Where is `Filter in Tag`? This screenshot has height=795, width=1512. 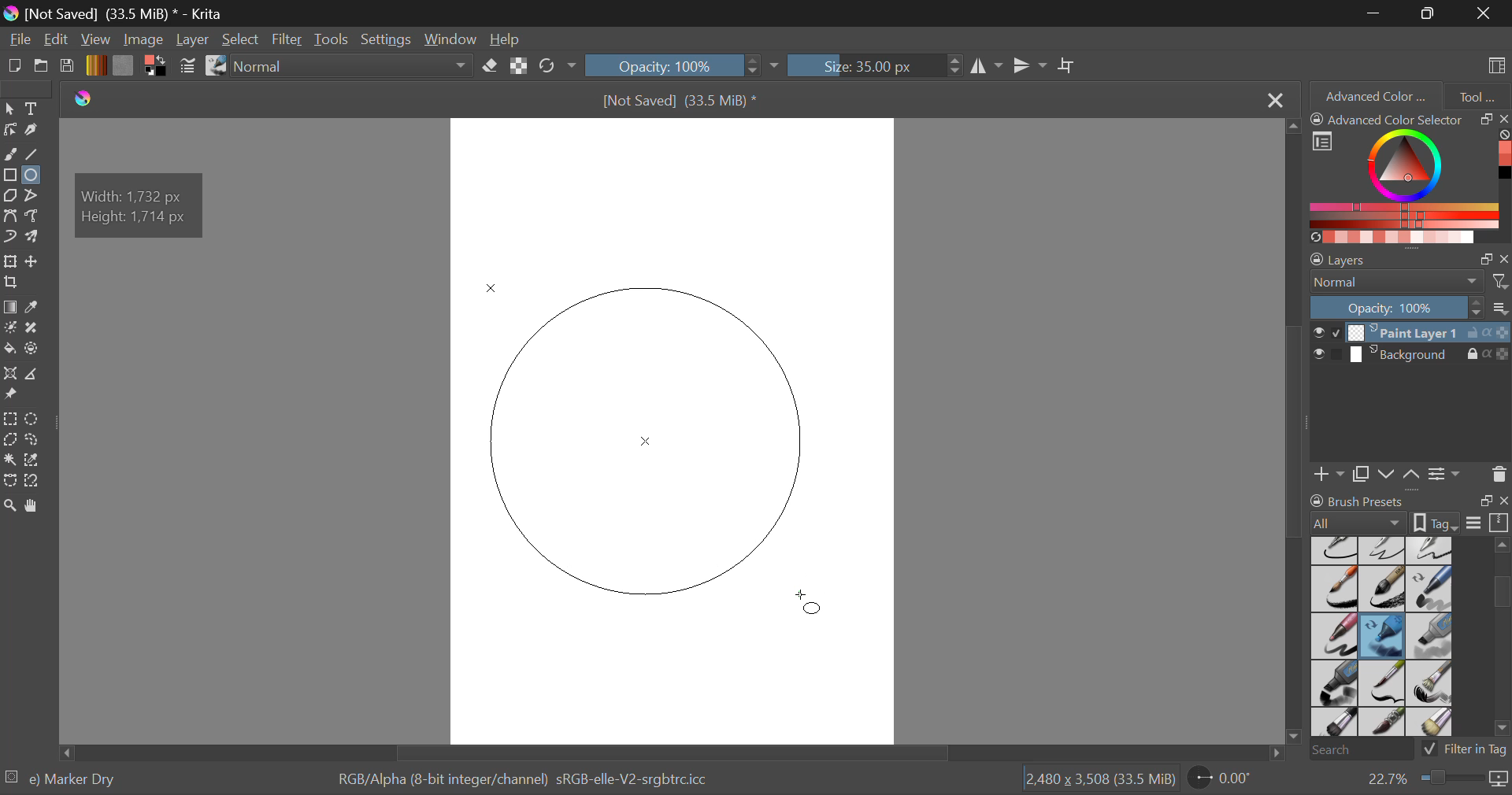
Filter in Tag is located at coordinates (1466, 748).